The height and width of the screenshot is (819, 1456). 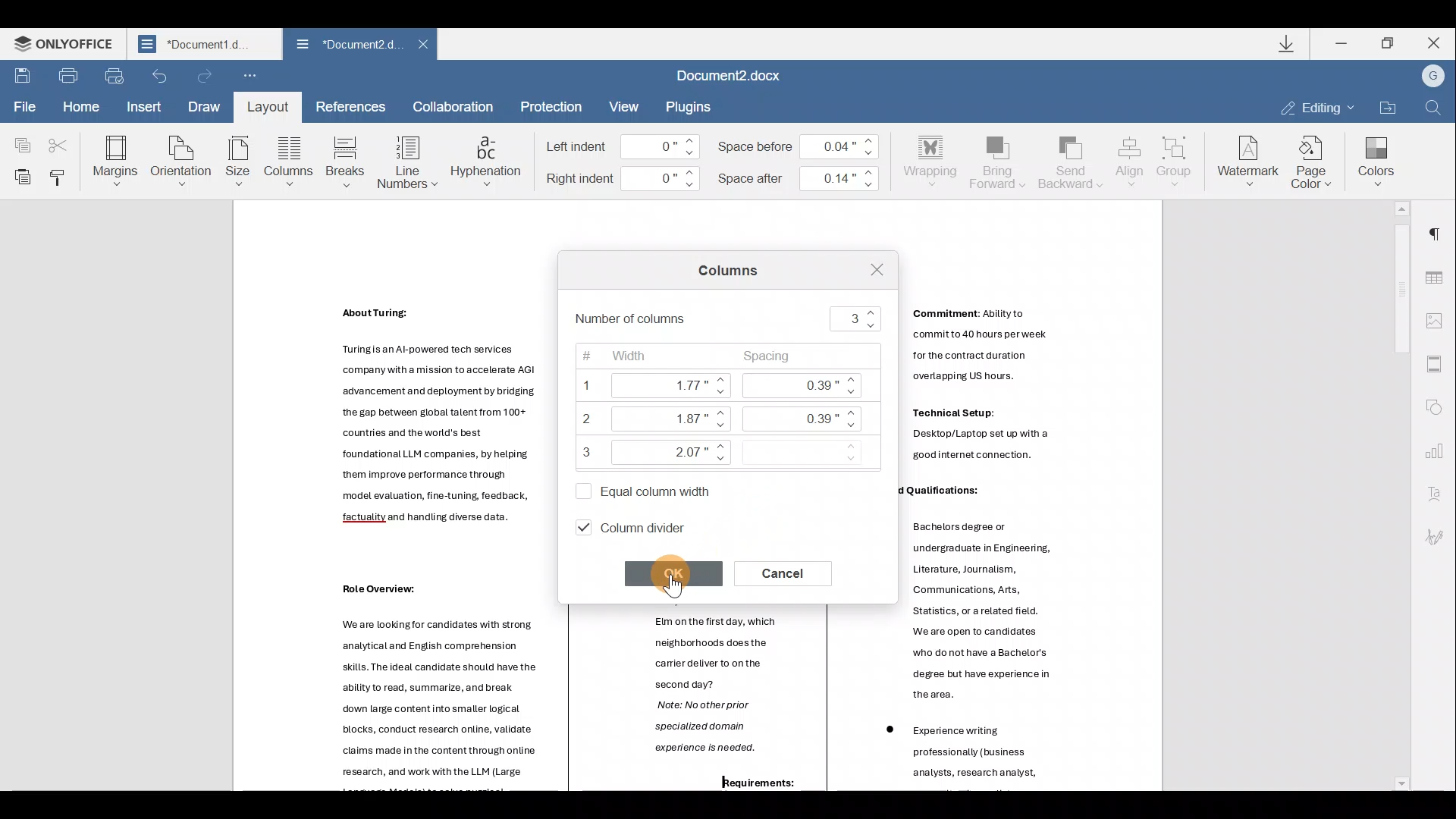 I want to click on Account name, so click(x=1432, y=77).